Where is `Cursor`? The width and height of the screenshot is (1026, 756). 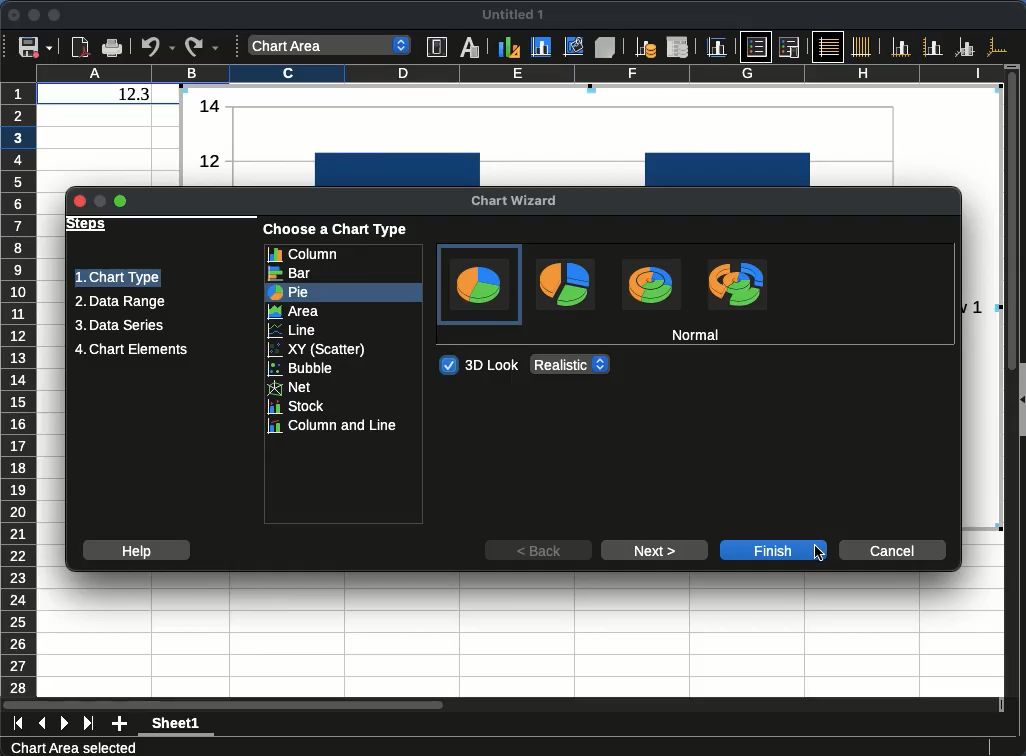 Cursor is located at coordinates (820, 552).